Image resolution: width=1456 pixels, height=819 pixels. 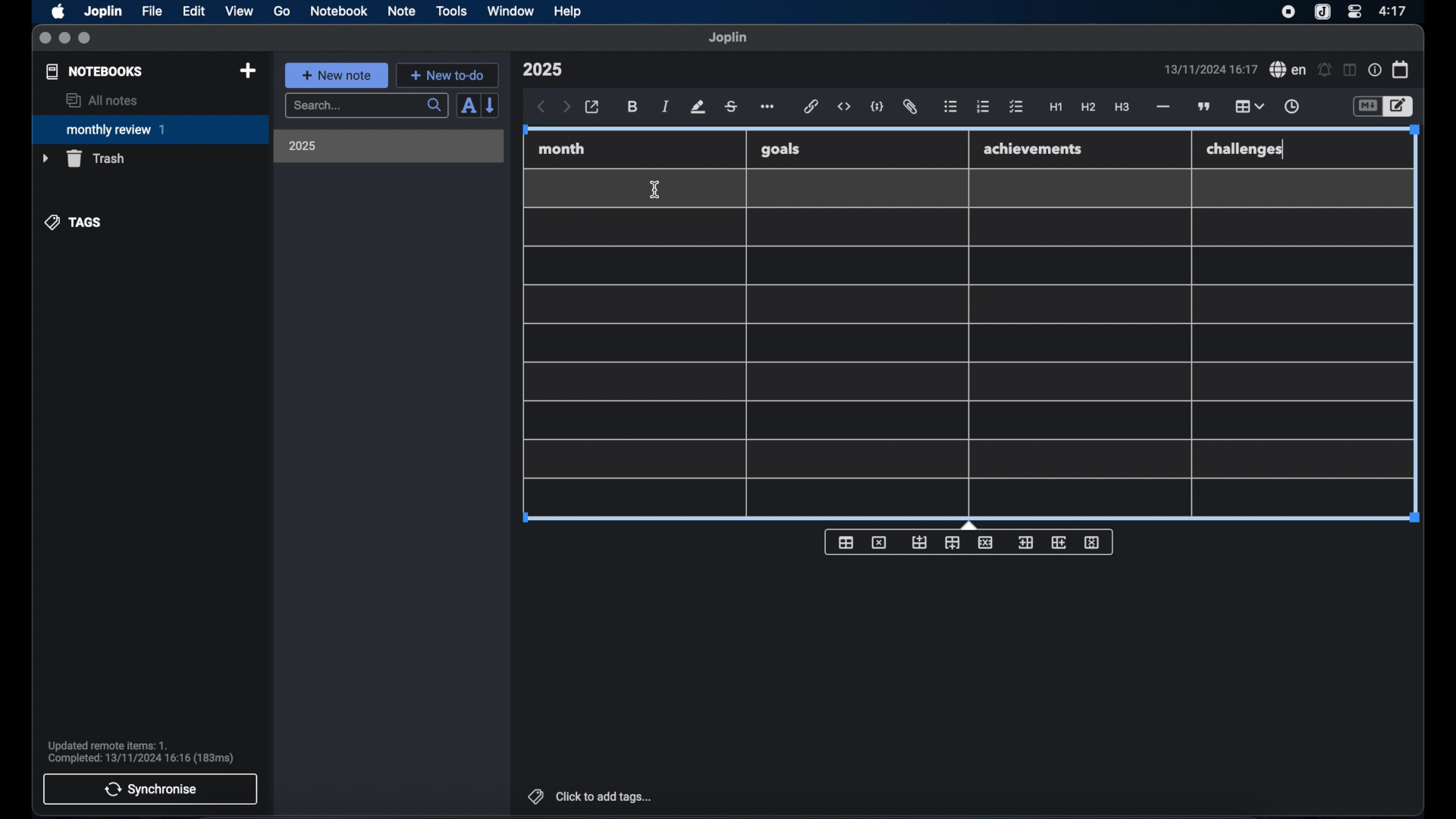 What do you see at coordinates (1291, 107) in the screenshot?
I see `insert time` at bounding box center [1291, 107].